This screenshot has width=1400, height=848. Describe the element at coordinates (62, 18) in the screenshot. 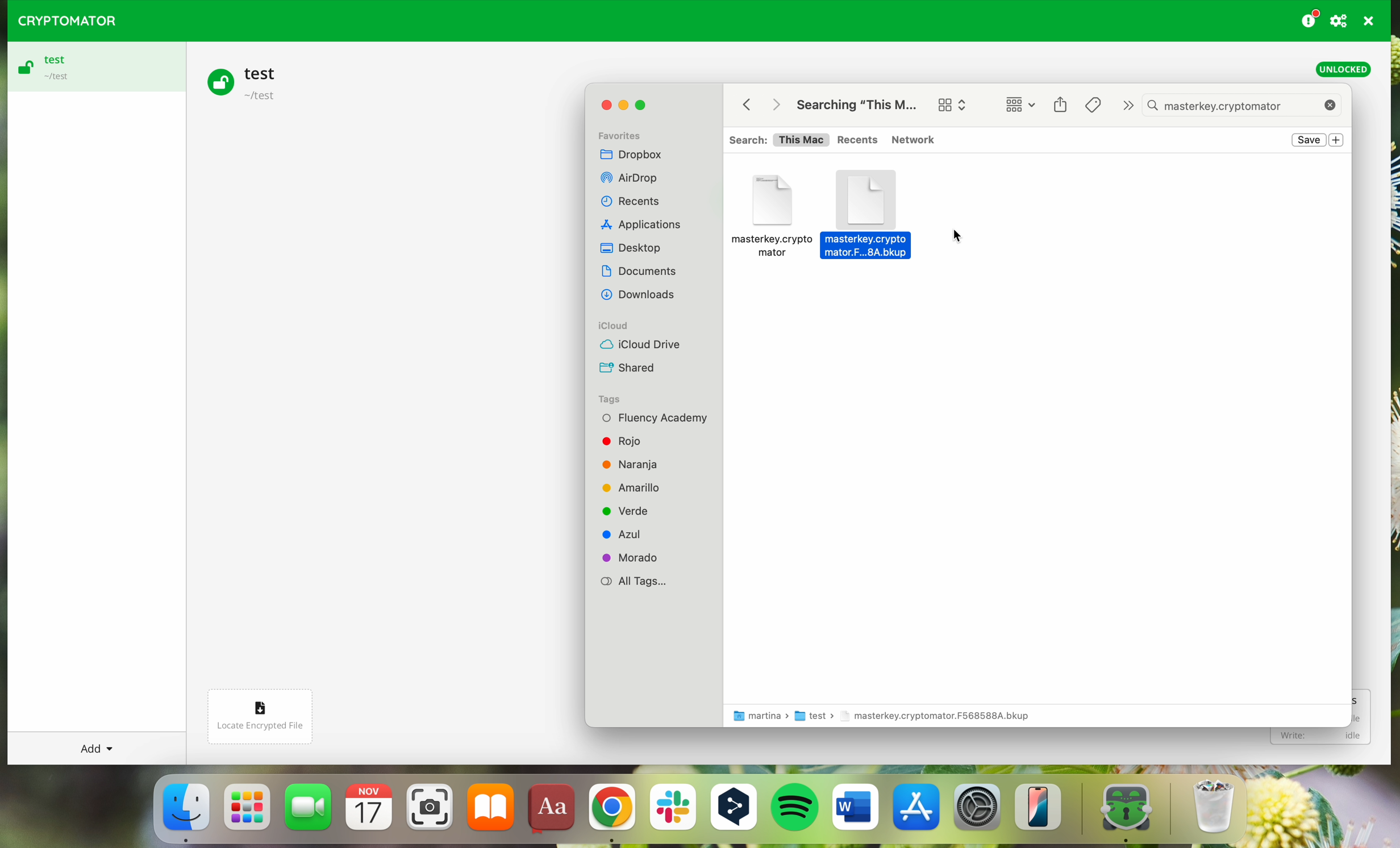

I see `CRYPTOMATOR LOGO` at that location.